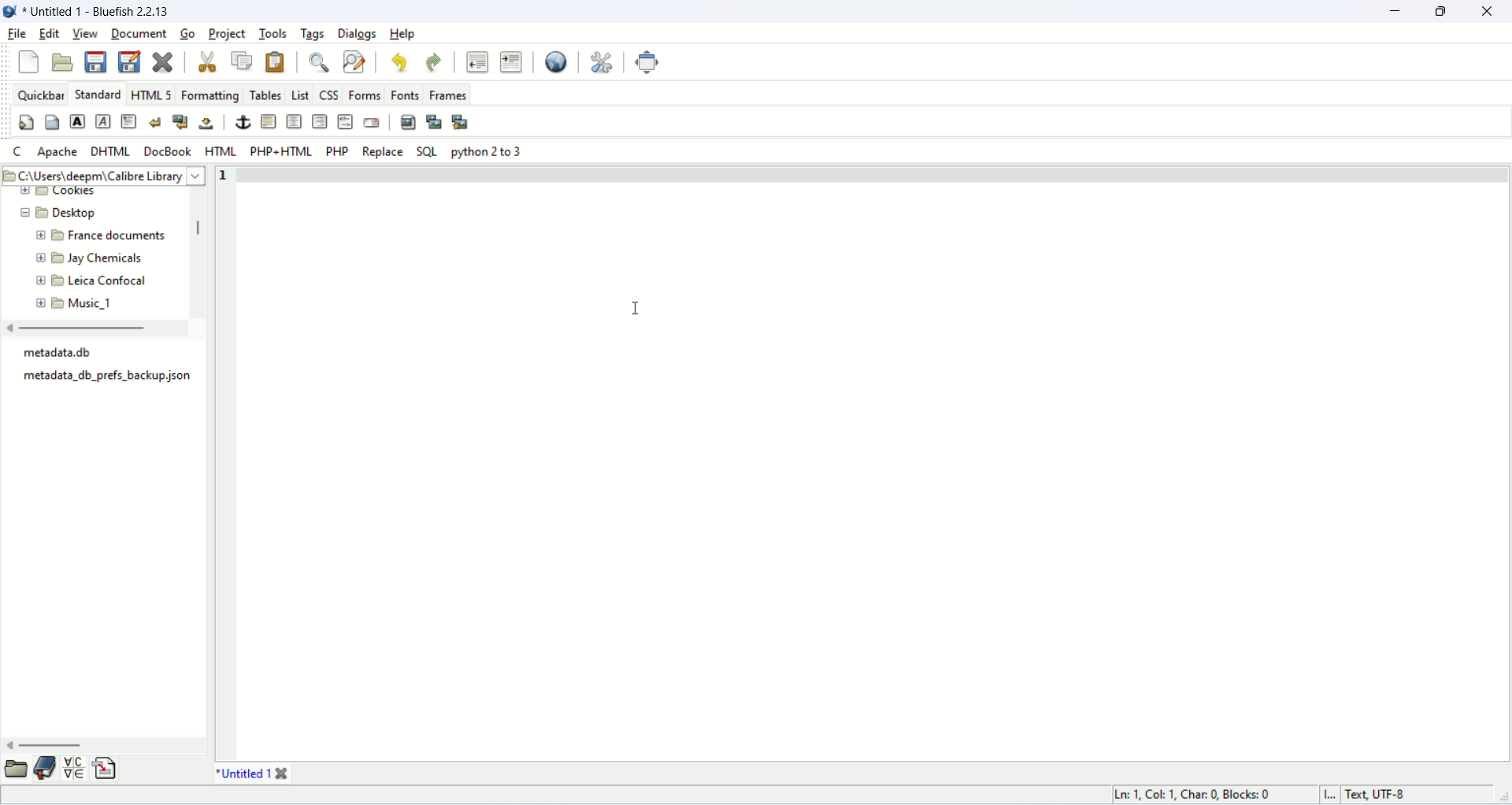 This screenshot has height=805, width=1512. Describe the element at coordinates (107, 372) in the screenshot. I see `file list` at that location.